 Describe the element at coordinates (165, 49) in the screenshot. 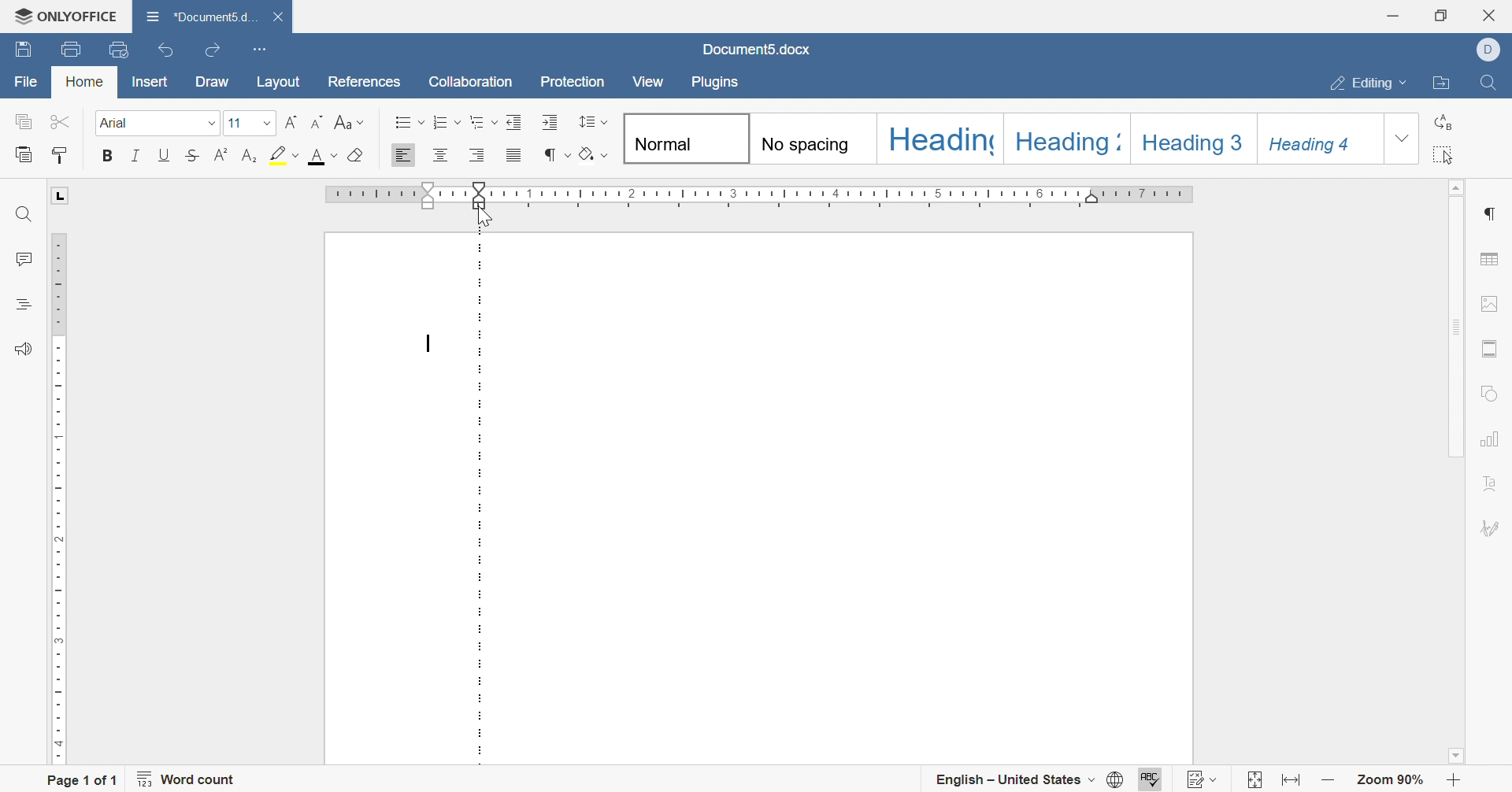

I see `undo` at that location.